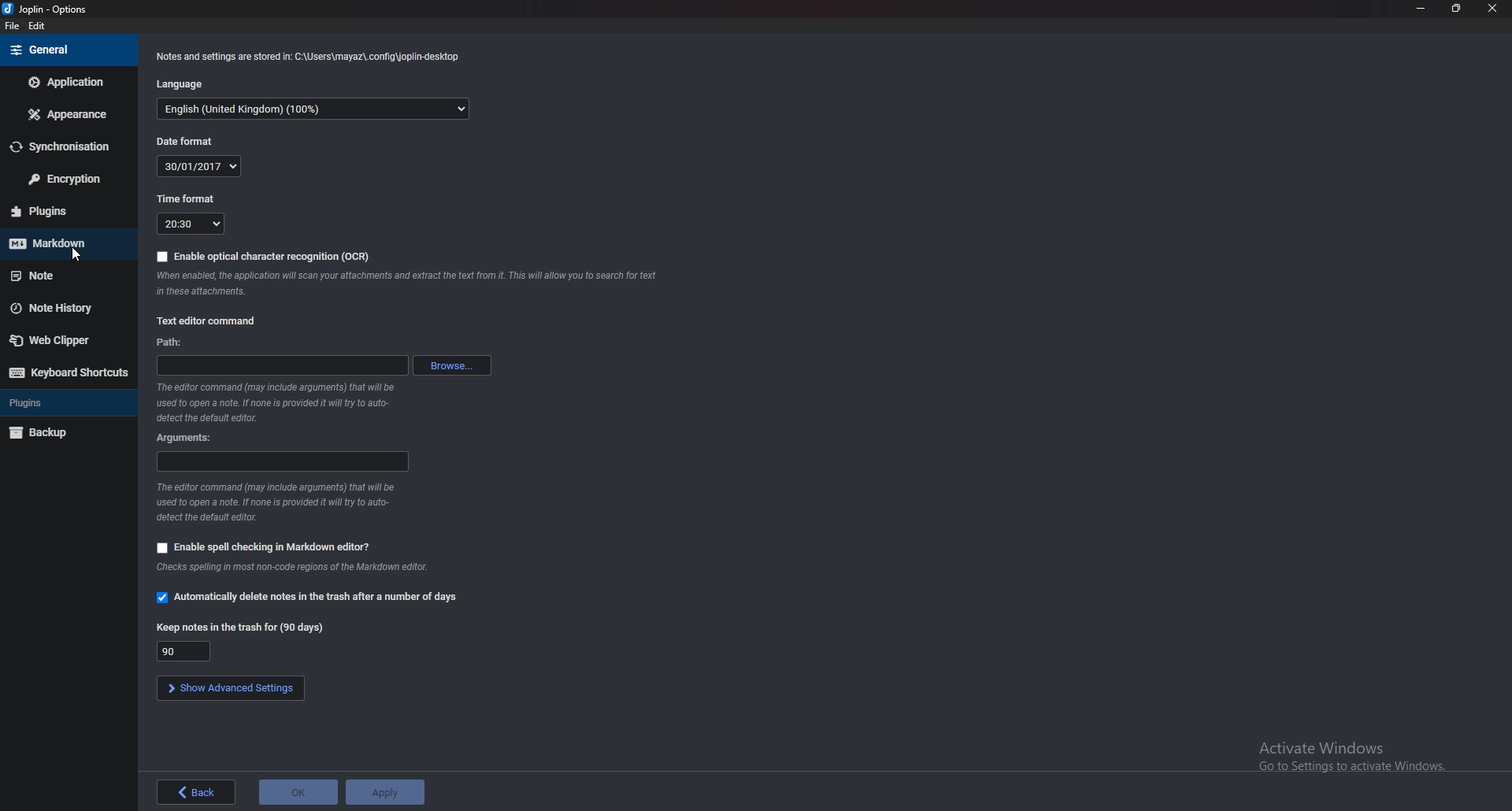 The height and width of the screenshot is (811, 1512). Describe the element at coordinates (312, 598) in the screenshot. I see `Automatically delete notes` at that location.